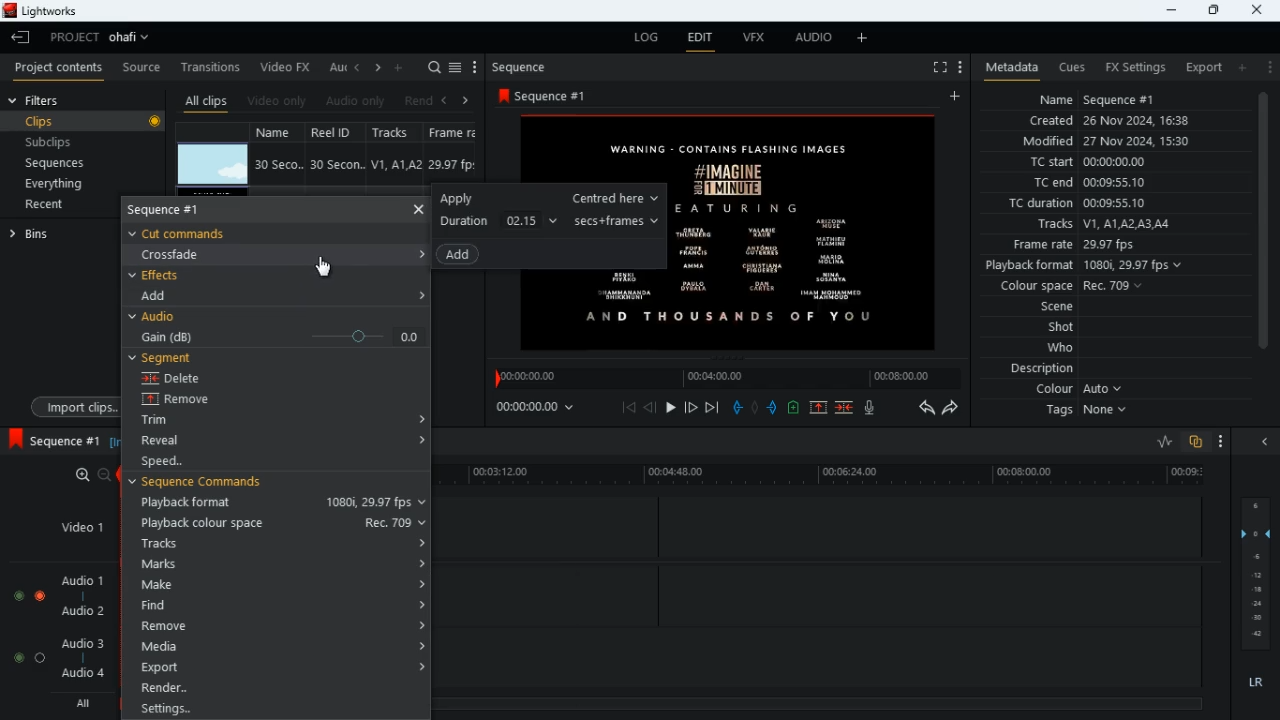  I want to click on export, so click(281, 667).